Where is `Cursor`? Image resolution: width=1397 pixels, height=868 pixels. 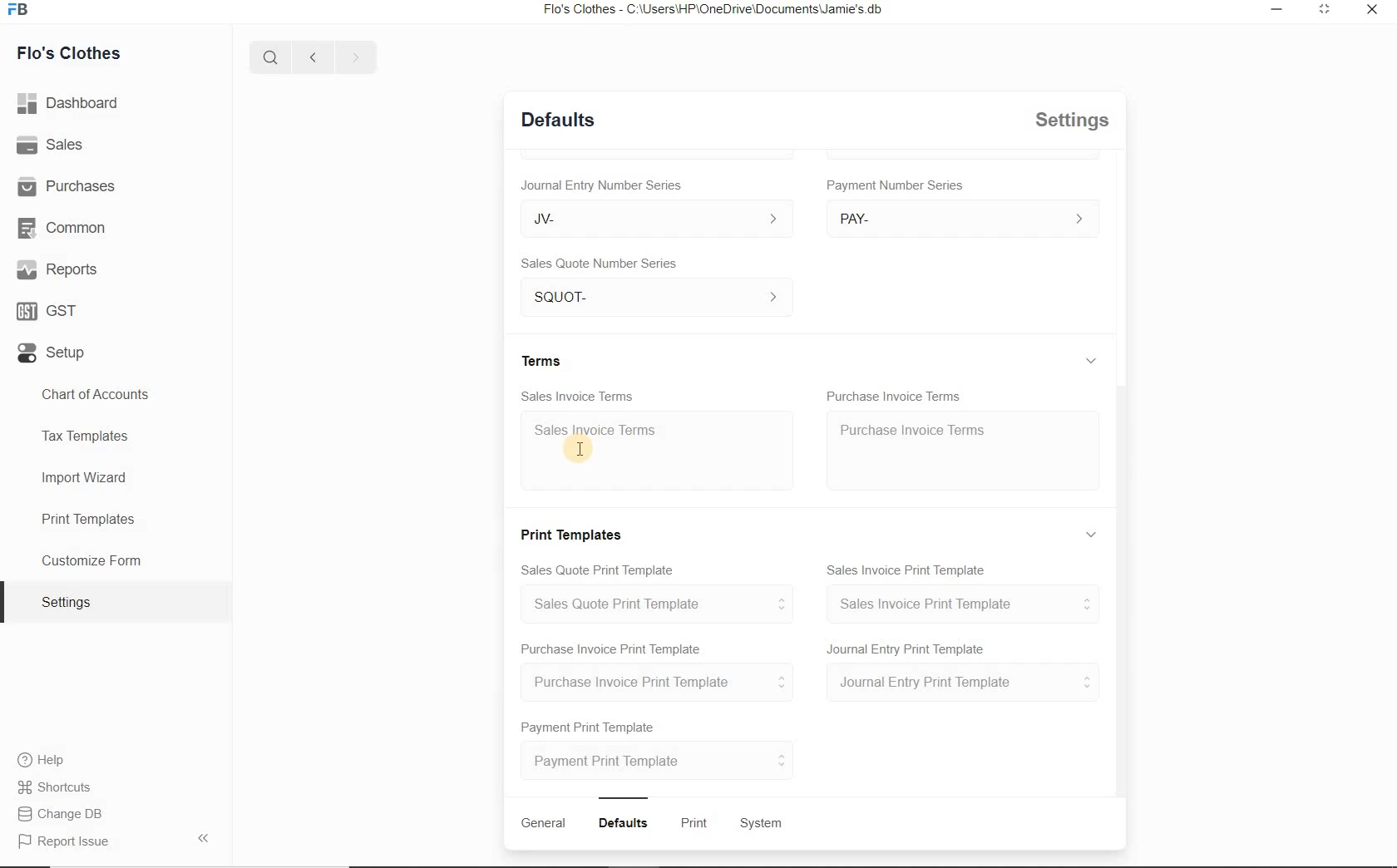 Cursor is located at coordinates (579, 447).